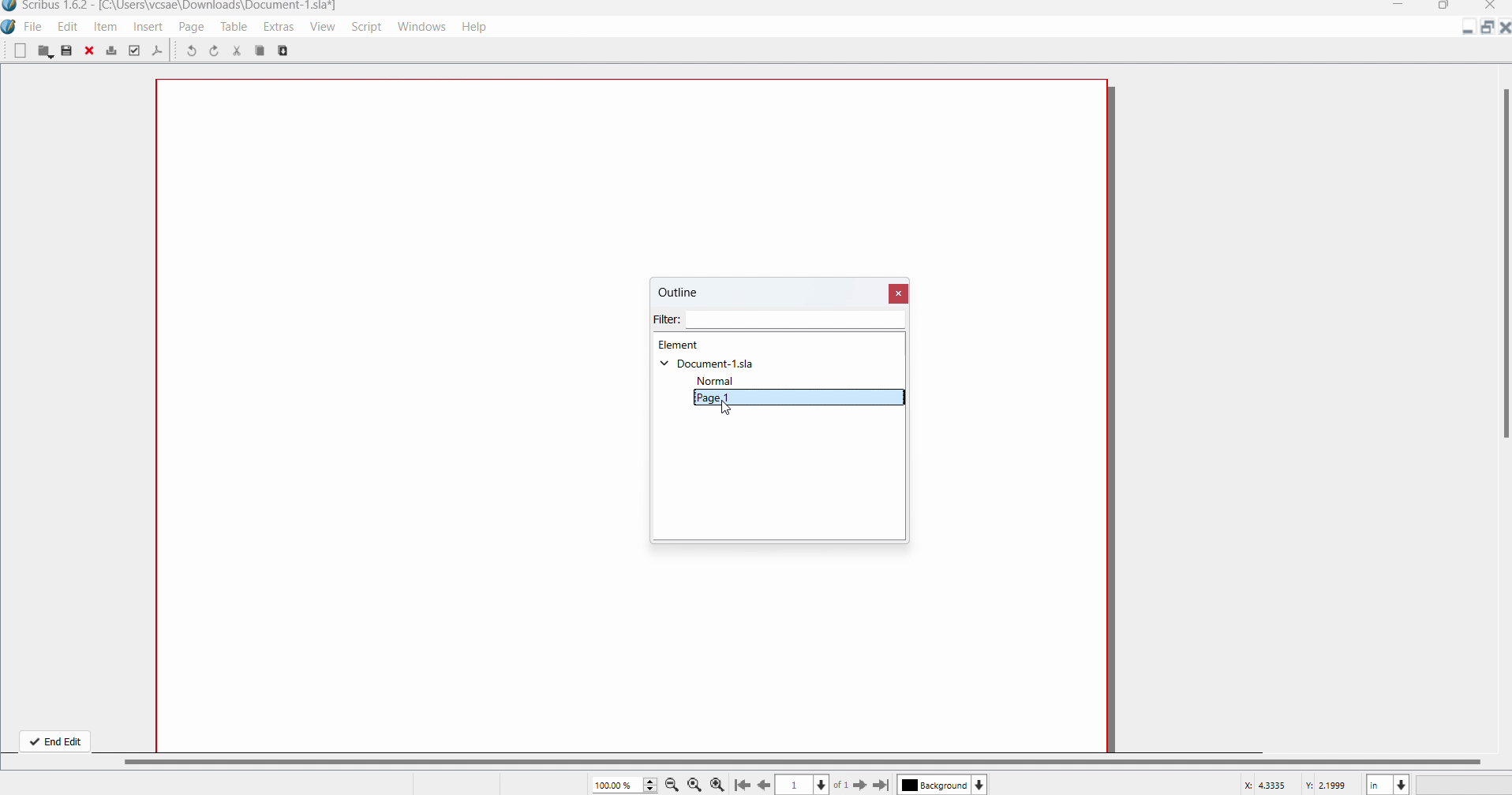  Describe the element at coordinates (35, 28) in the screenshot. I see `File` at that location.